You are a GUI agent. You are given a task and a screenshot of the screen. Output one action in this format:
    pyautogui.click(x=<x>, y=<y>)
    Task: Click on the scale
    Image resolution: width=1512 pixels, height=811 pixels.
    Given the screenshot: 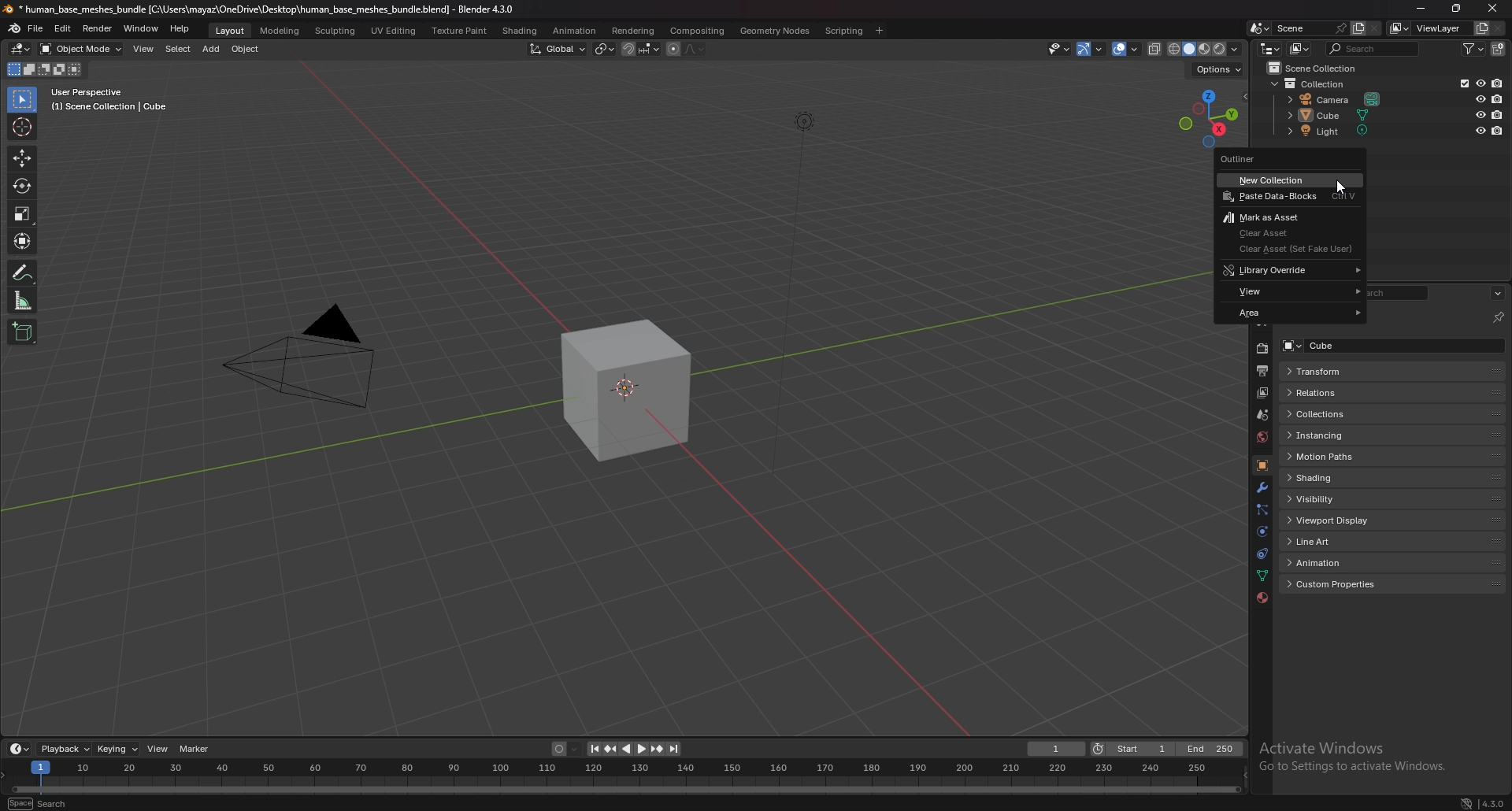 What is the action you would take?
    pyautogui.click(x=24, y=214)
    